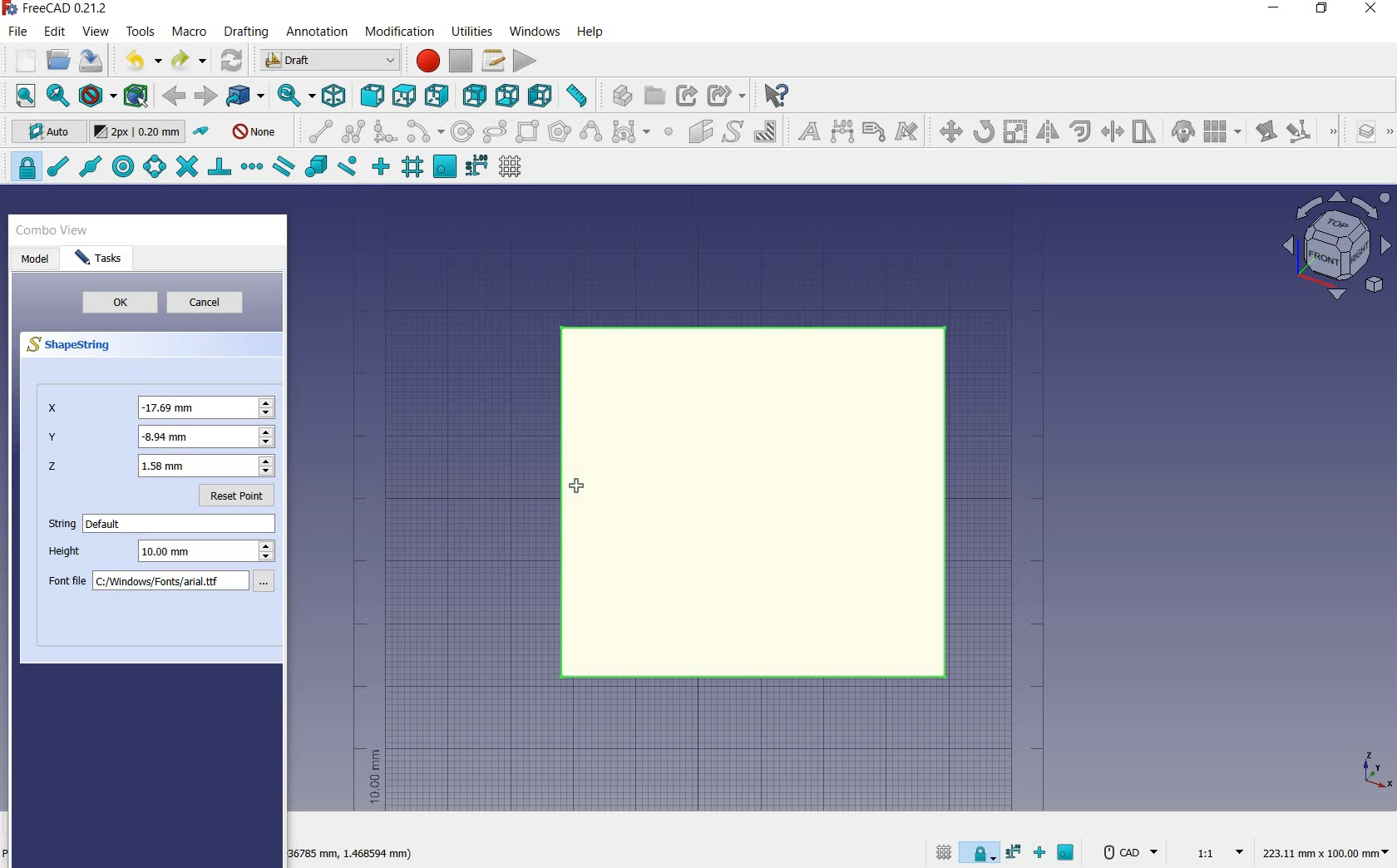 This screenshot has width=1397, height=868. What do you see at coordinates (318, 33) in the screenshot?
I see `annotation` at bounding box center [318, 33].